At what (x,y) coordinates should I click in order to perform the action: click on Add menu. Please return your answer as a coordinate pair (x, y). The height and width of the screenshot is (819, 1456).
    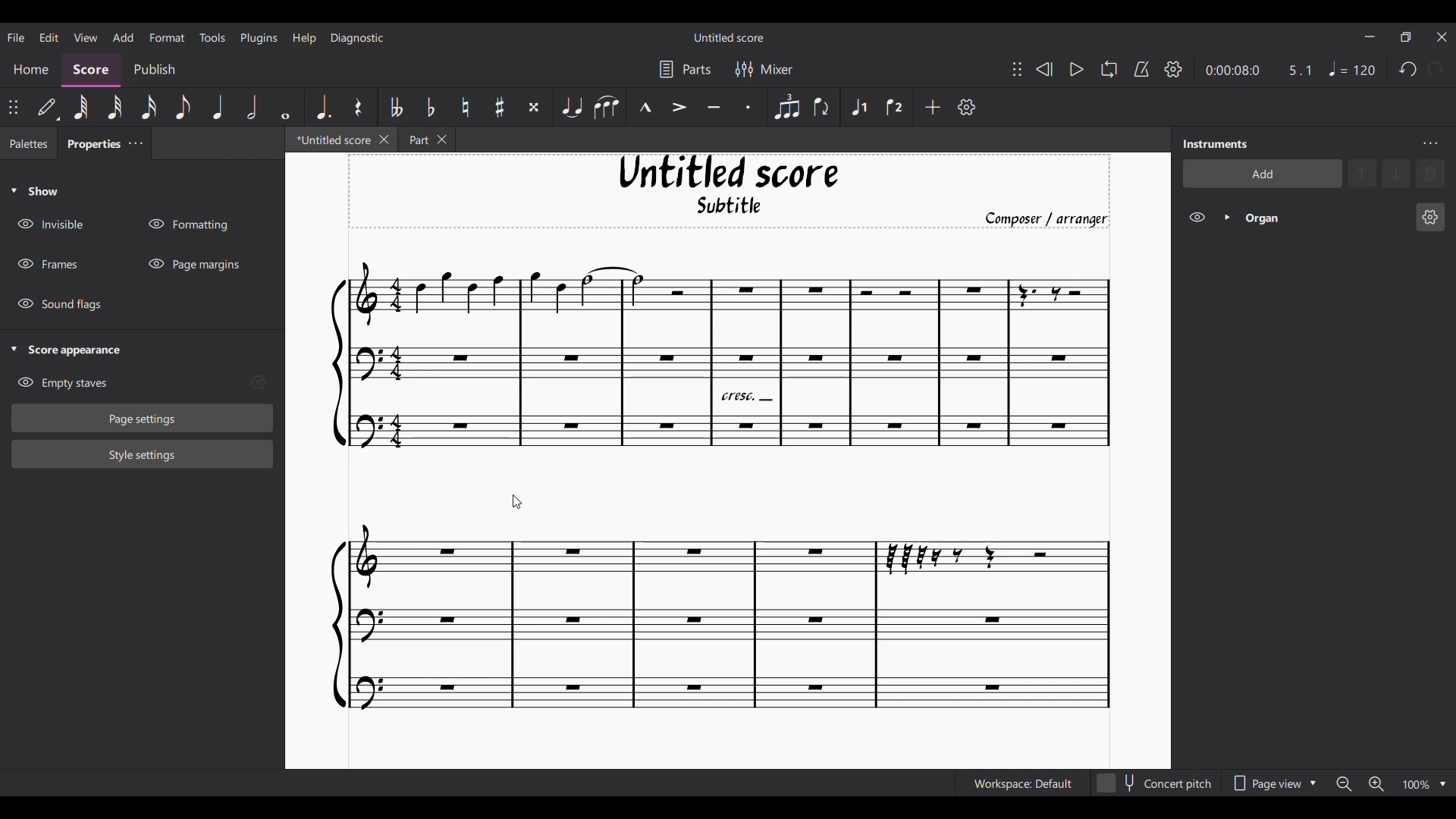
    Looking at the image, I should click on (123, 36).